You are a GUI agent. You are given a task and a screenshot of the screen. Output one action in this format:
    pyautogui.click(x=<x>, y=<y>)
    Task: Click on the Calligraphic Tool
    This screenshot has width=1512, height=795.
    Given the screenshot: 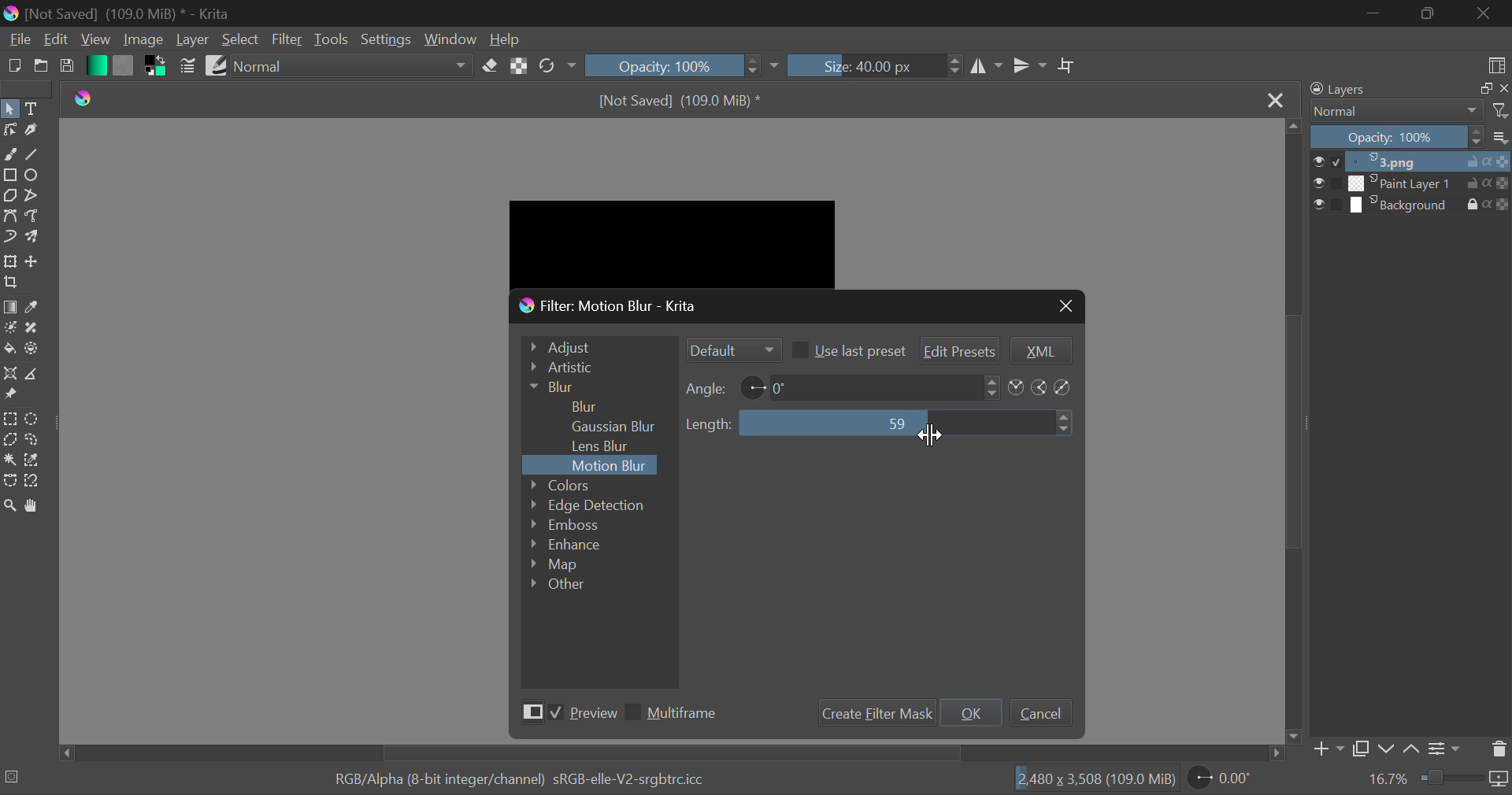 What is the action you would take?
    pyautogui.click(x=31, y=131)
    